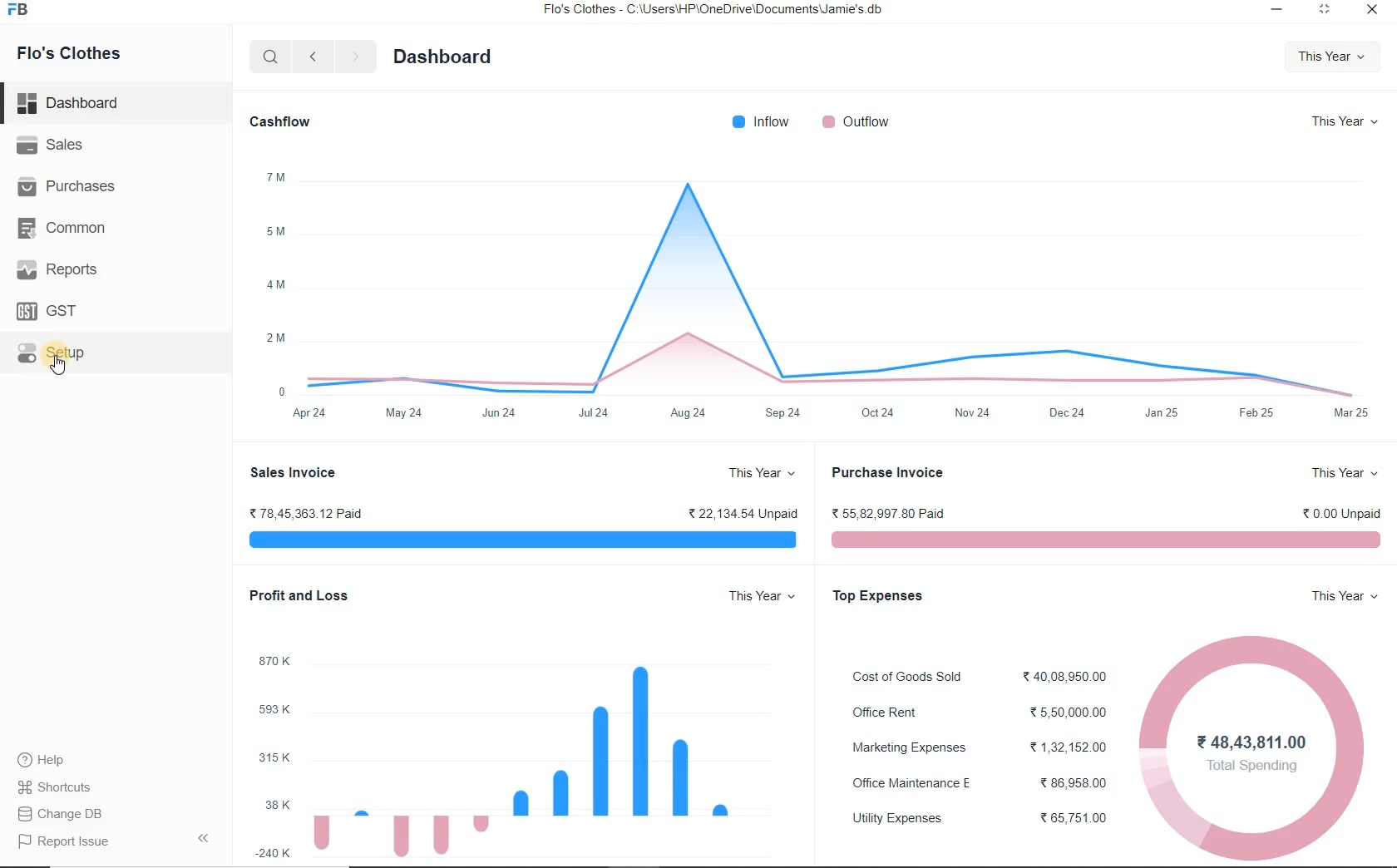 Image resolution: width=1397 pixels, height=868 pixels. Describe the element at coordinates (743, 513) in the screenshot. I see `% 22,134.54 Unpaid` at that location.